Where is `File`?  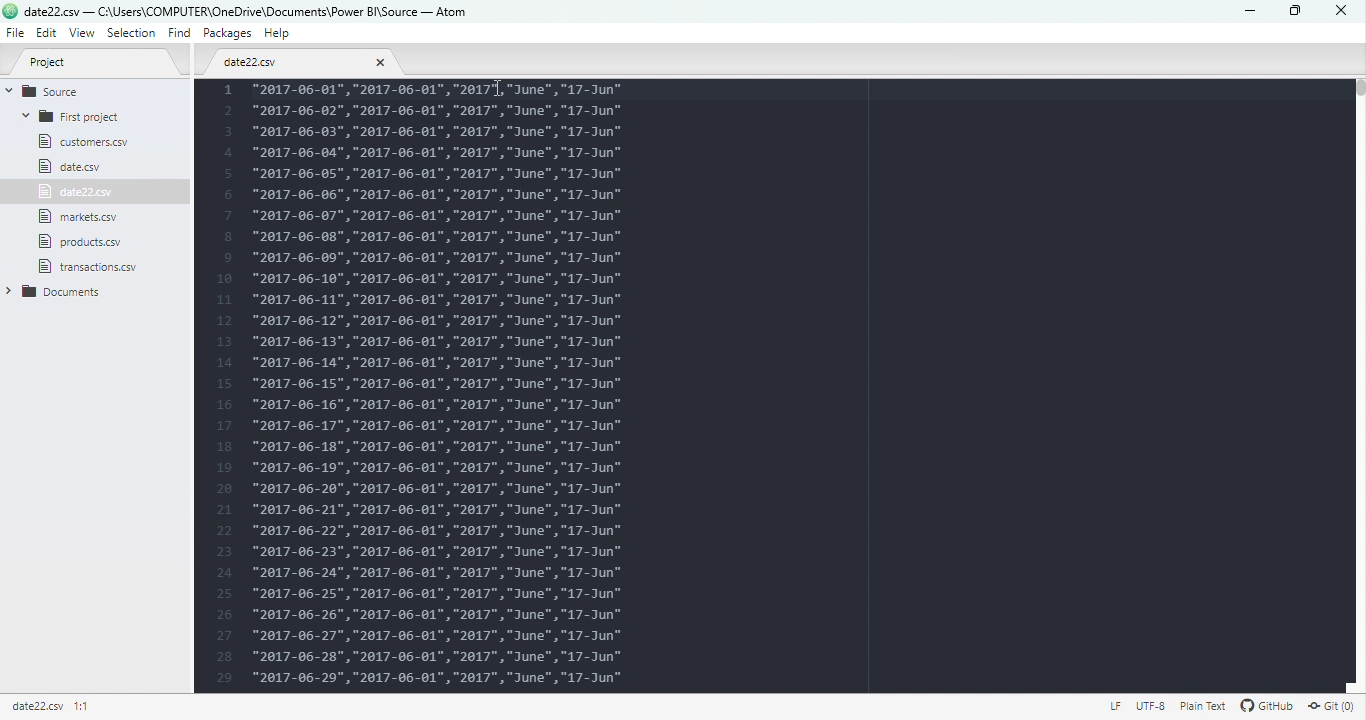
File is located at coordinates (84, 217).